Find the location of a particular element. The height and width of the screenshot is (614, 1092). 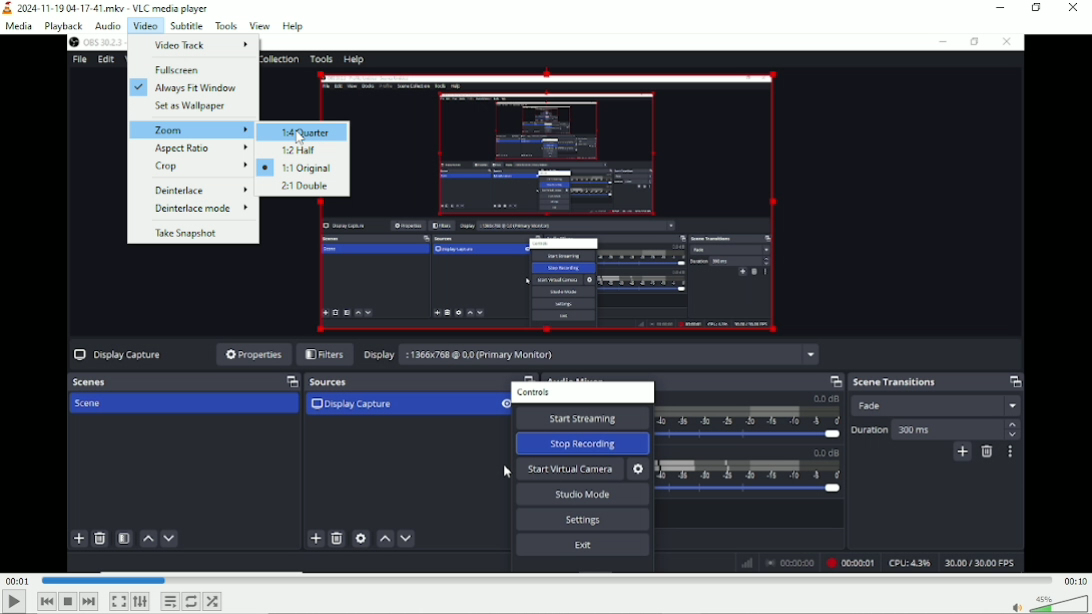

Close is located at coordinates (1074, 8).